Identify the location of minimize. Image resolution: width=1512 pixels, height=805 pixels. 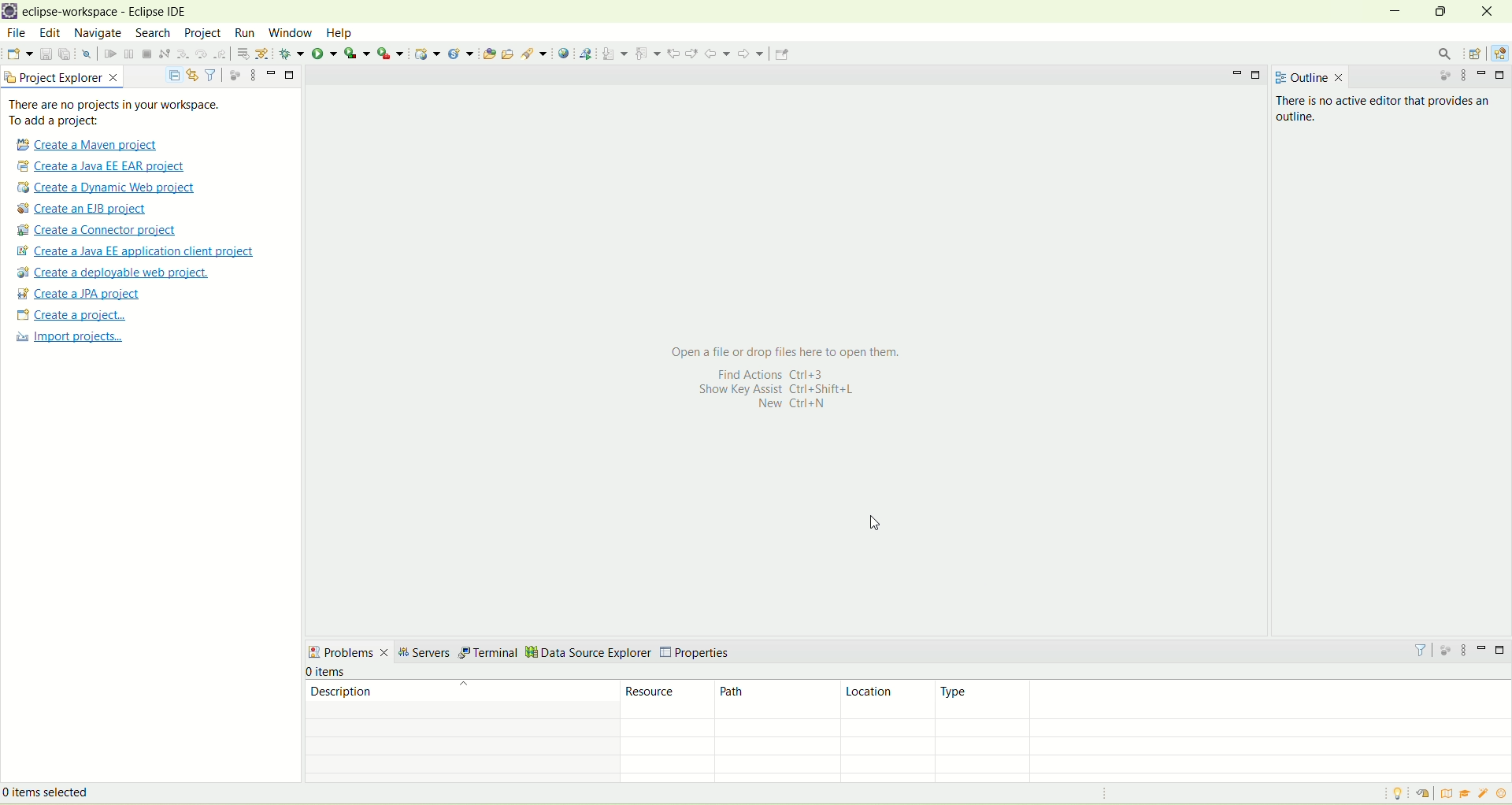
(1484, 76).